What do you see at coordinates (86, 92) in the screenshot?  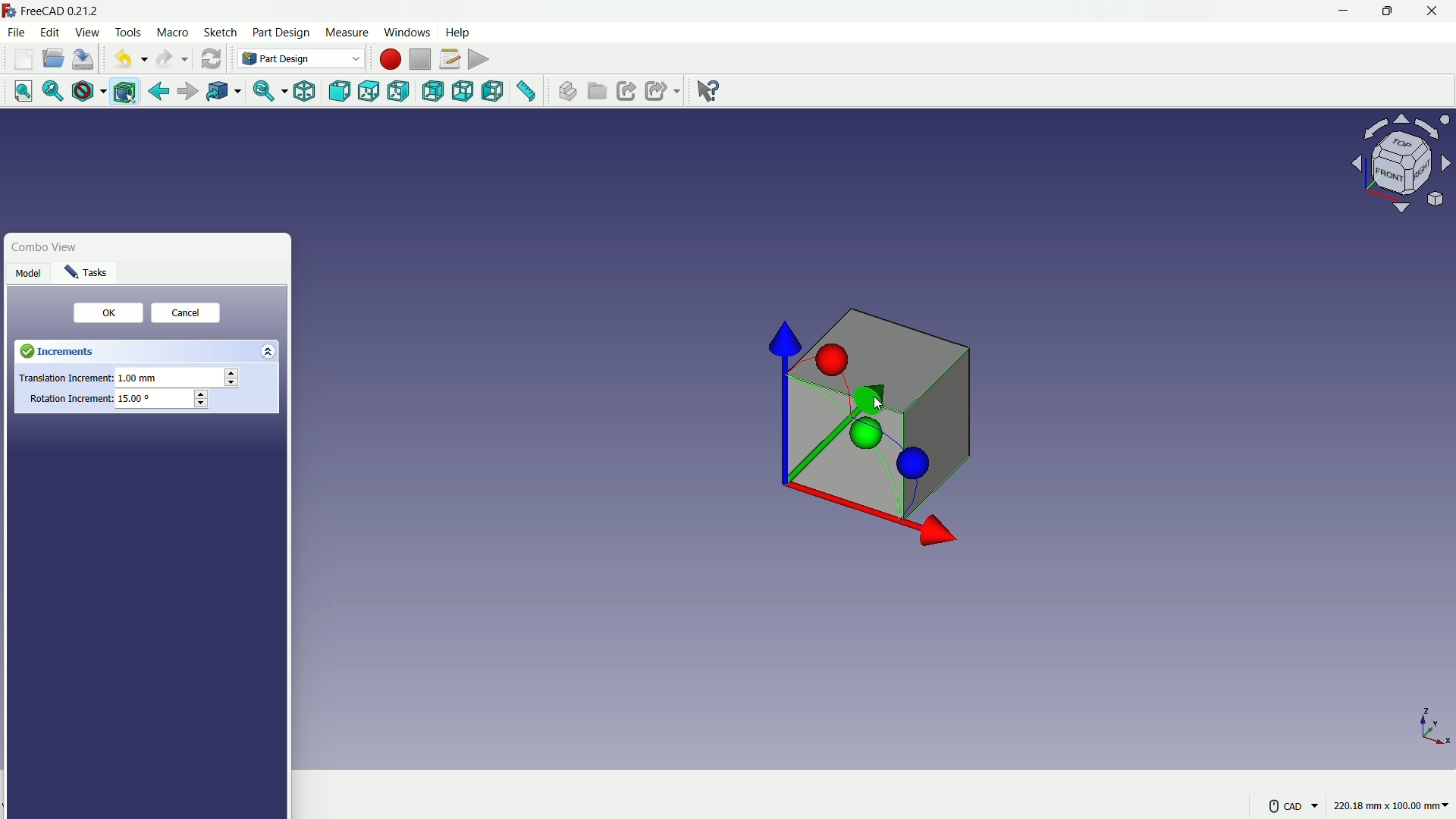 I see `draw style` at bounding box center [86, 92].